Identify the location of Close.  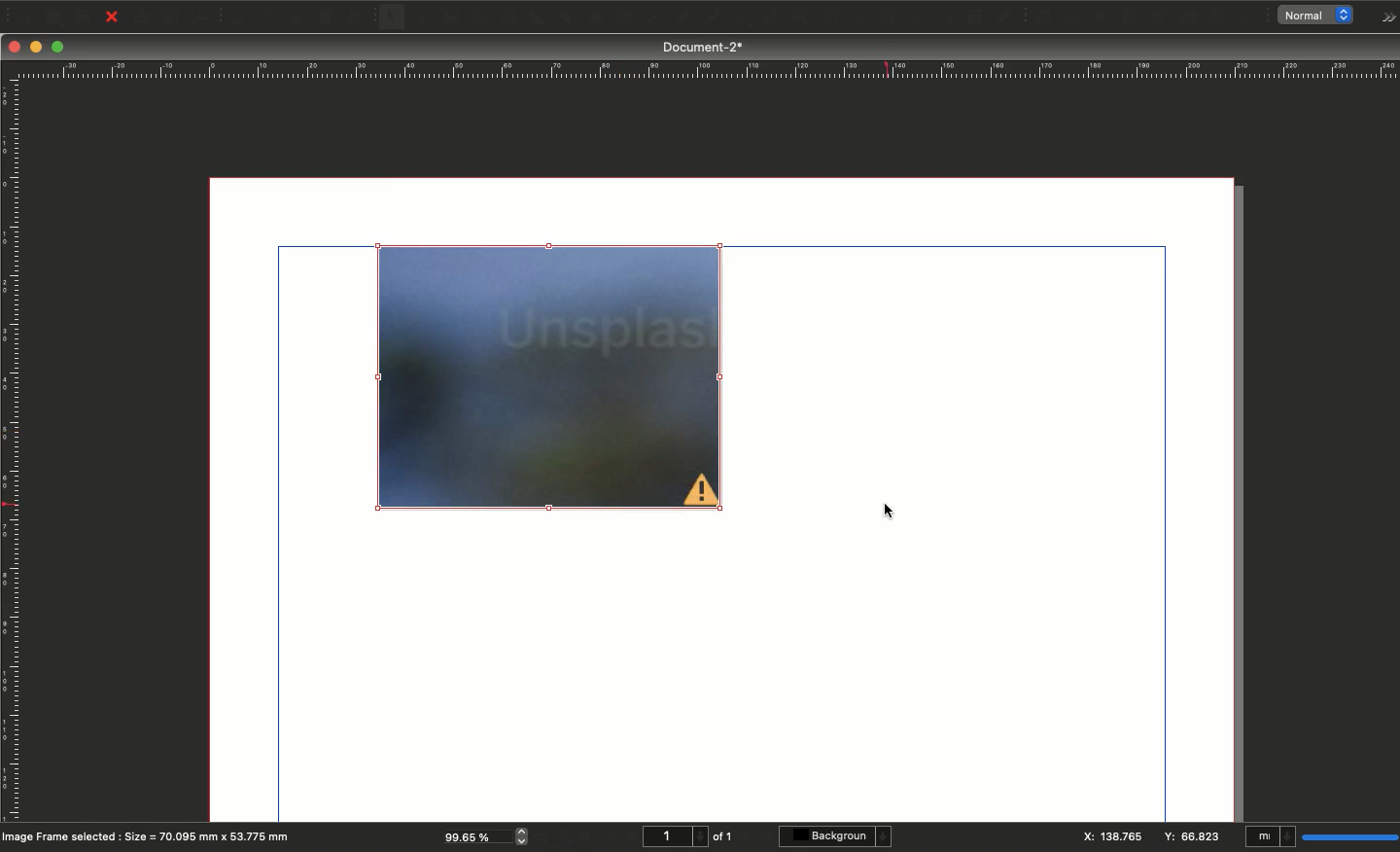
(112, 18).